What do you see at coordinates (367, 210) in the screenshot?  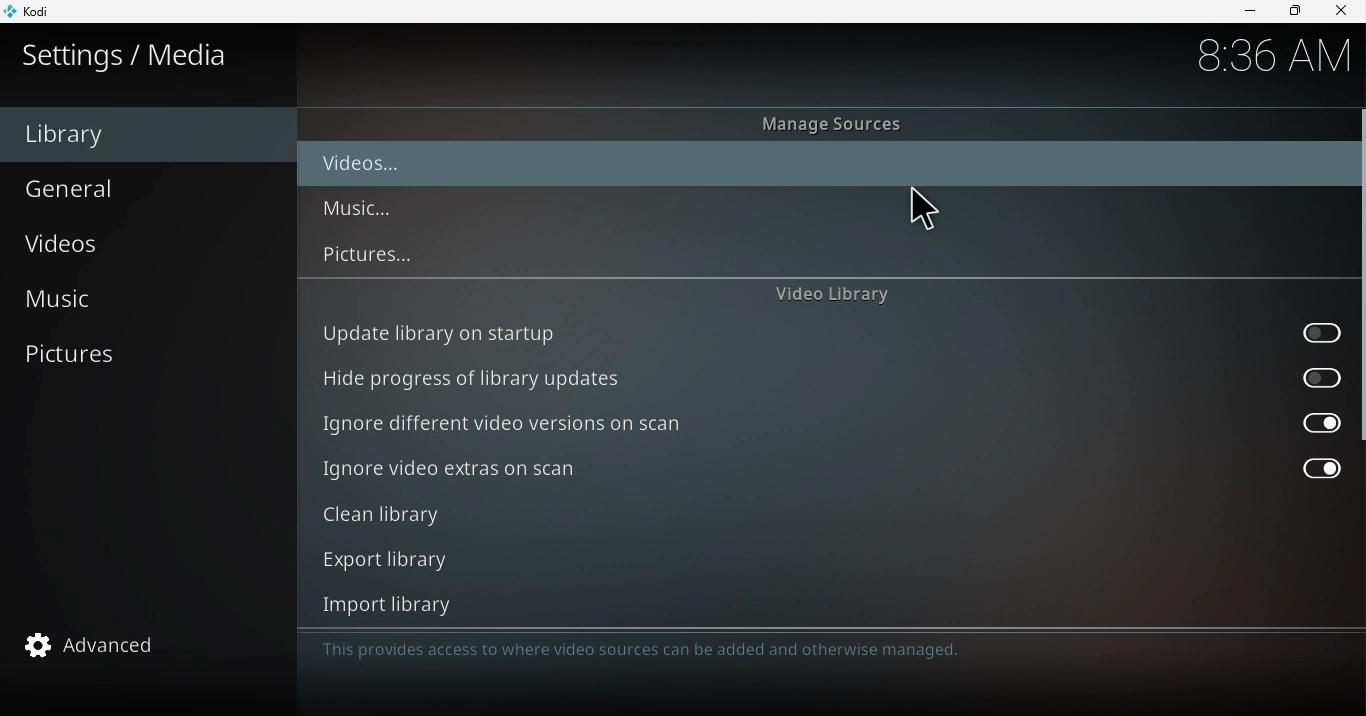 I see `Music` at bounding box center [367, 210].